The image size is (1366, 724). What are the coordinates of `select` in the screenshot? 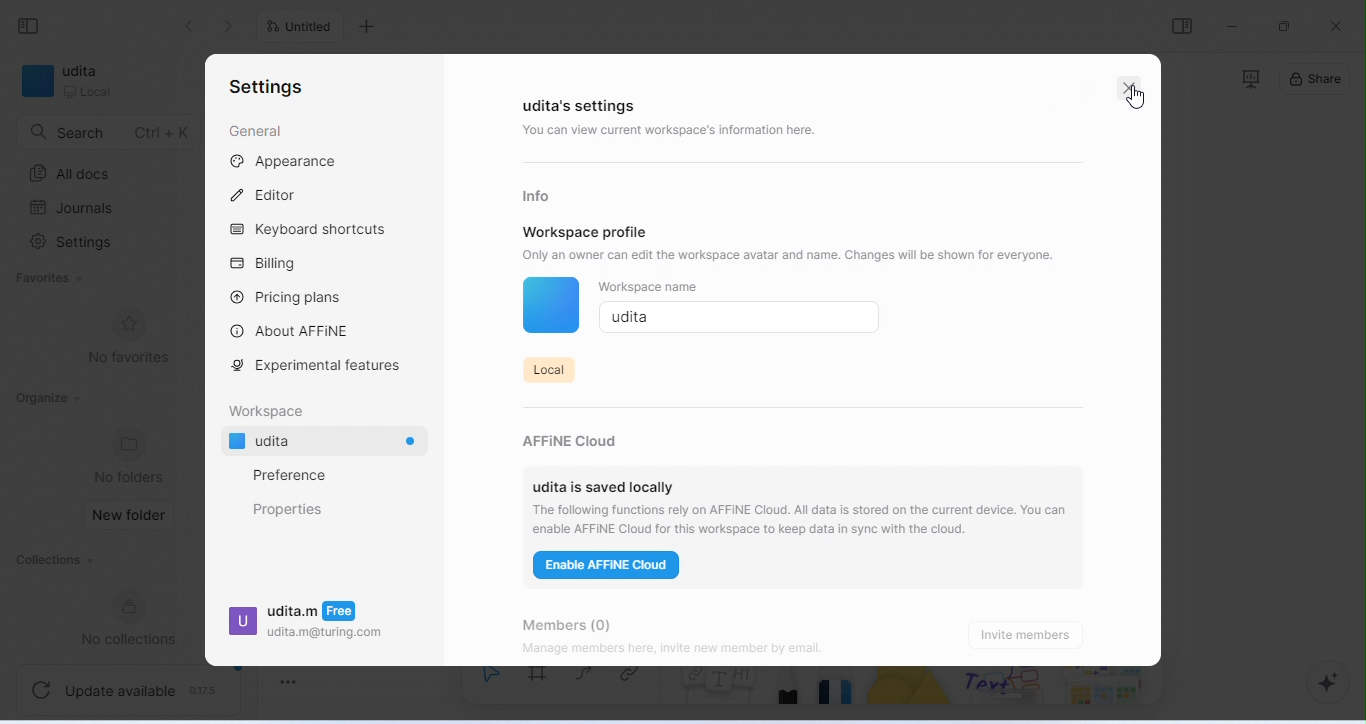 It's located at (490, 686).